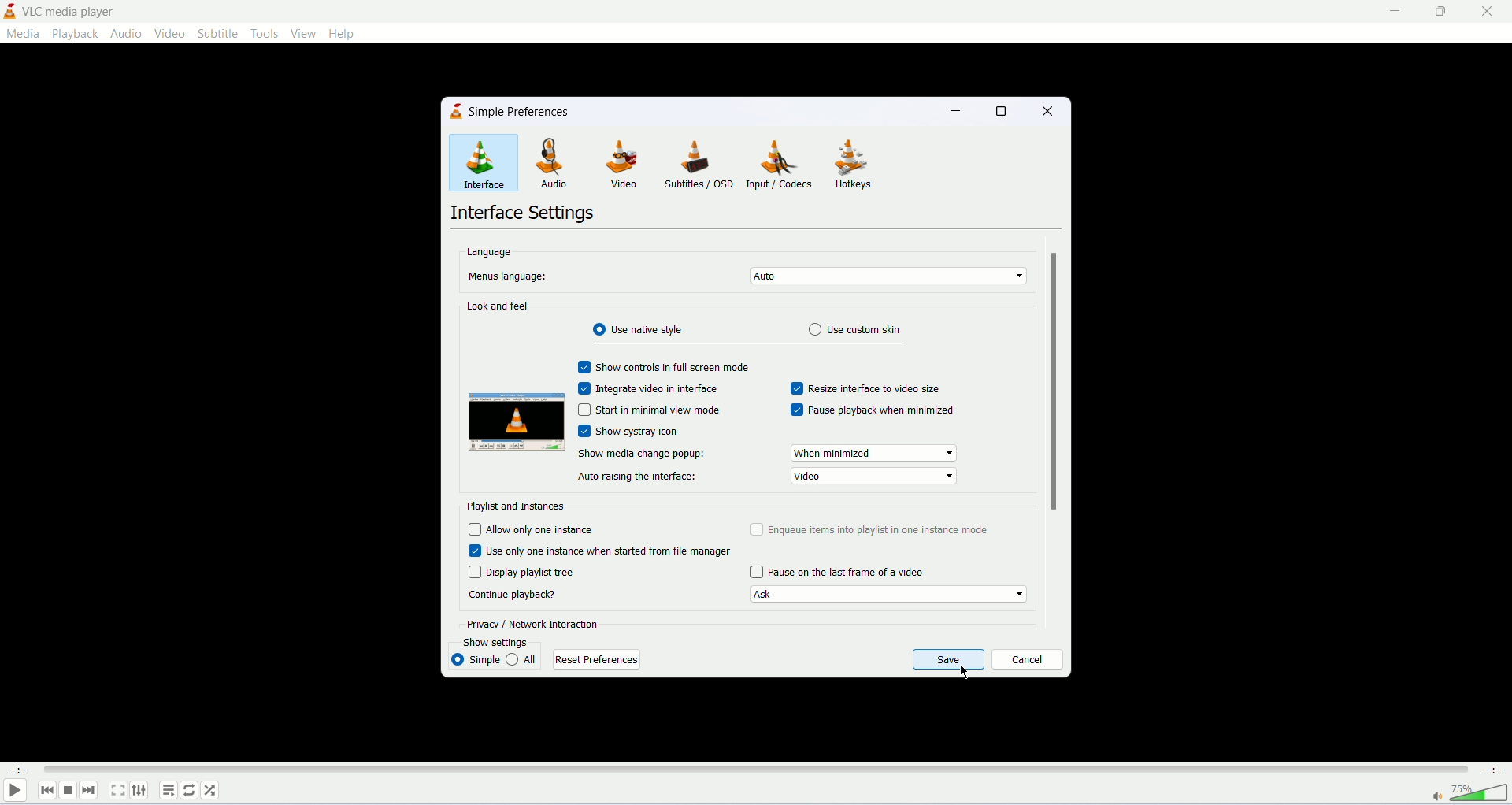 The height and width of the screenshot is (805, 1512). Describe the element at coordinates (659, 410) in the screenshot. I see `start minimal view mode` at that location.